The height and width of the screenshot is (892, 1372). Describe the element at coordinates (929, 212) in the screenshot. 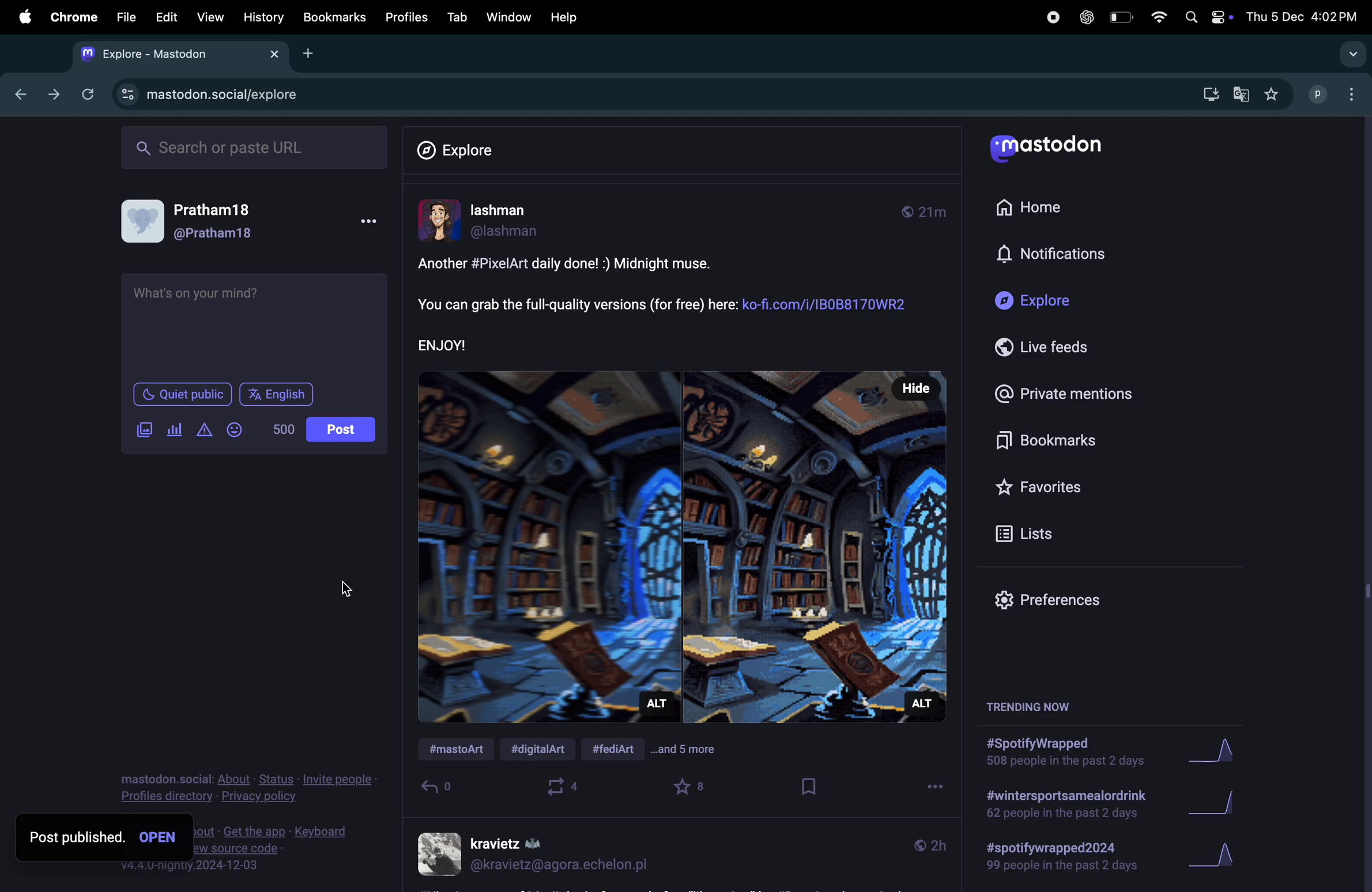

I see `time` at that location.